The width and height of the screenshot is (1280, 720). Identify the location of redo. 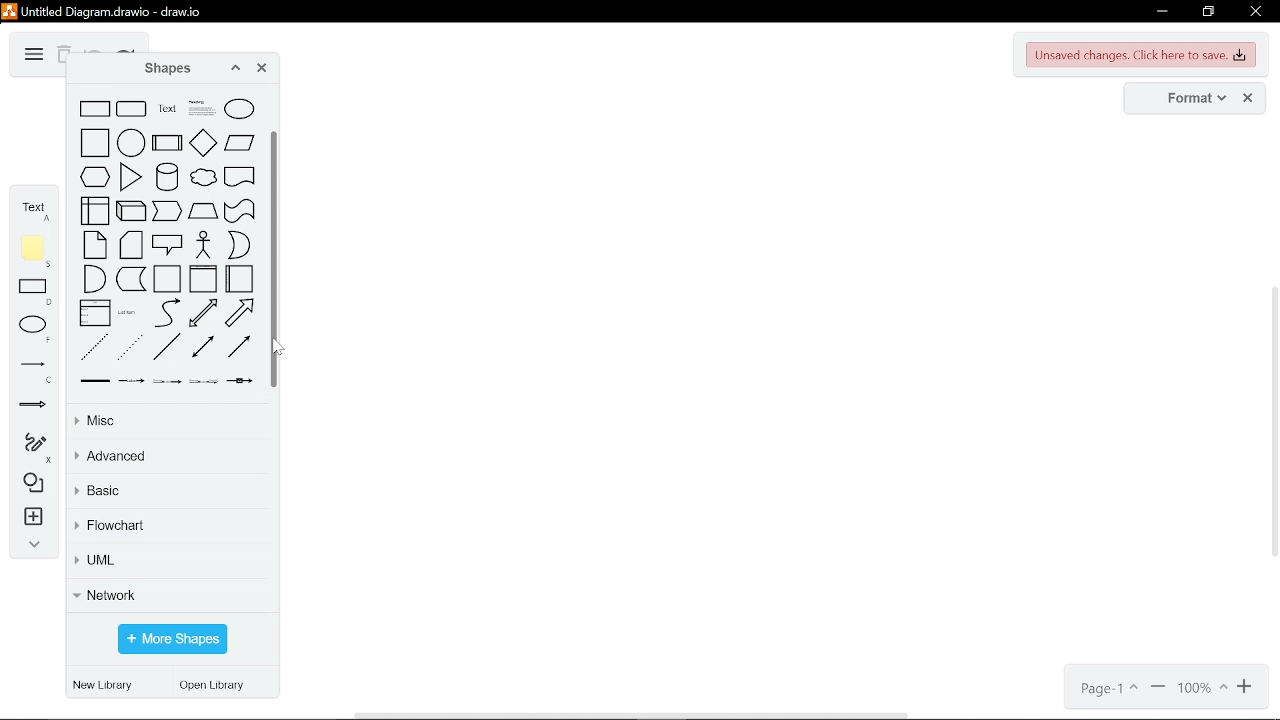
(126, 50).